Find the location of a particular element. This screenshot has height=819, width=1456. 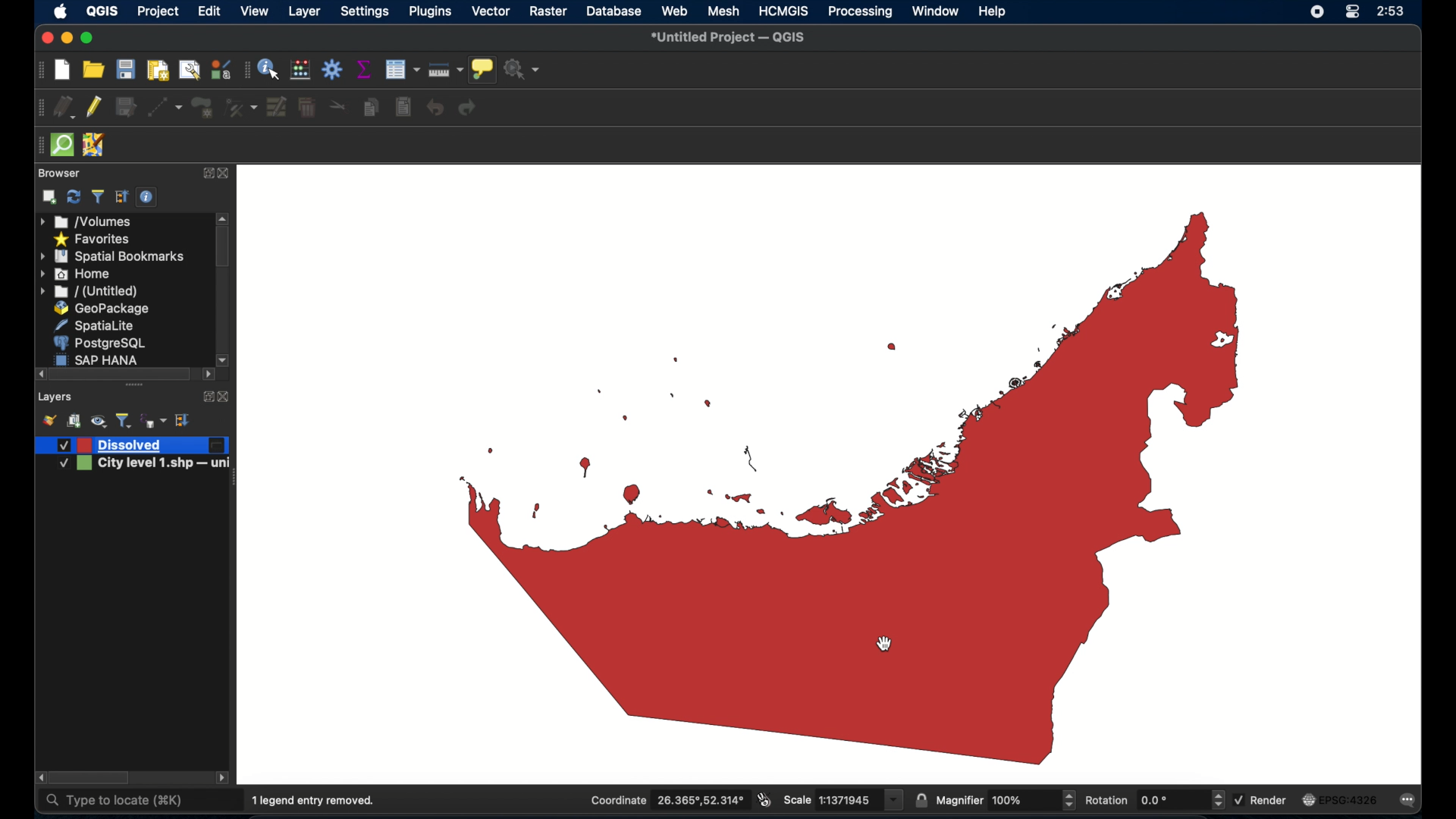

drag handle is located at coordinates (38, 145).